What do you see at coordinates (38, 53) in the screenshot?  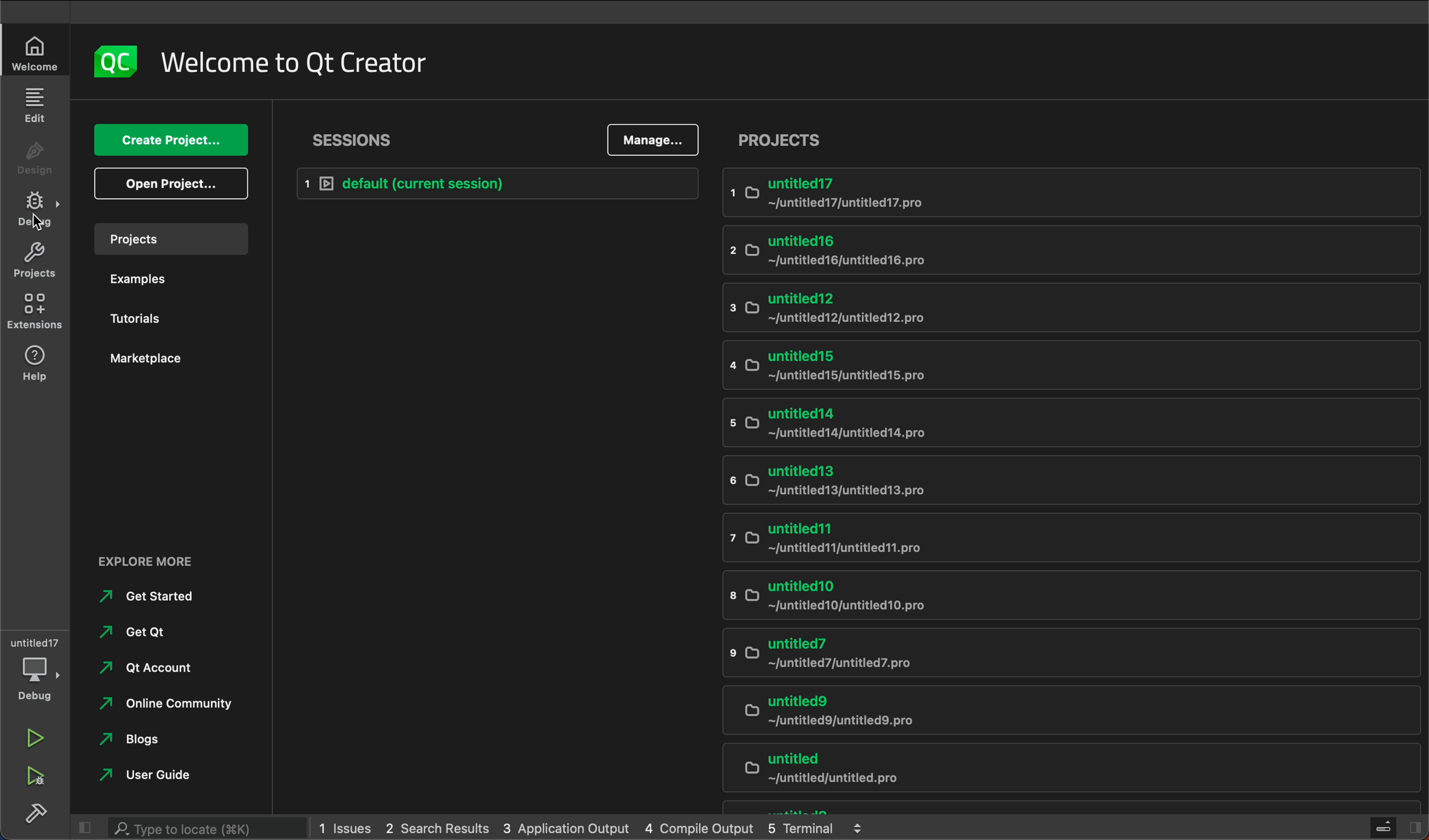 I see `WELCOME` at bounding box center [38, 53].